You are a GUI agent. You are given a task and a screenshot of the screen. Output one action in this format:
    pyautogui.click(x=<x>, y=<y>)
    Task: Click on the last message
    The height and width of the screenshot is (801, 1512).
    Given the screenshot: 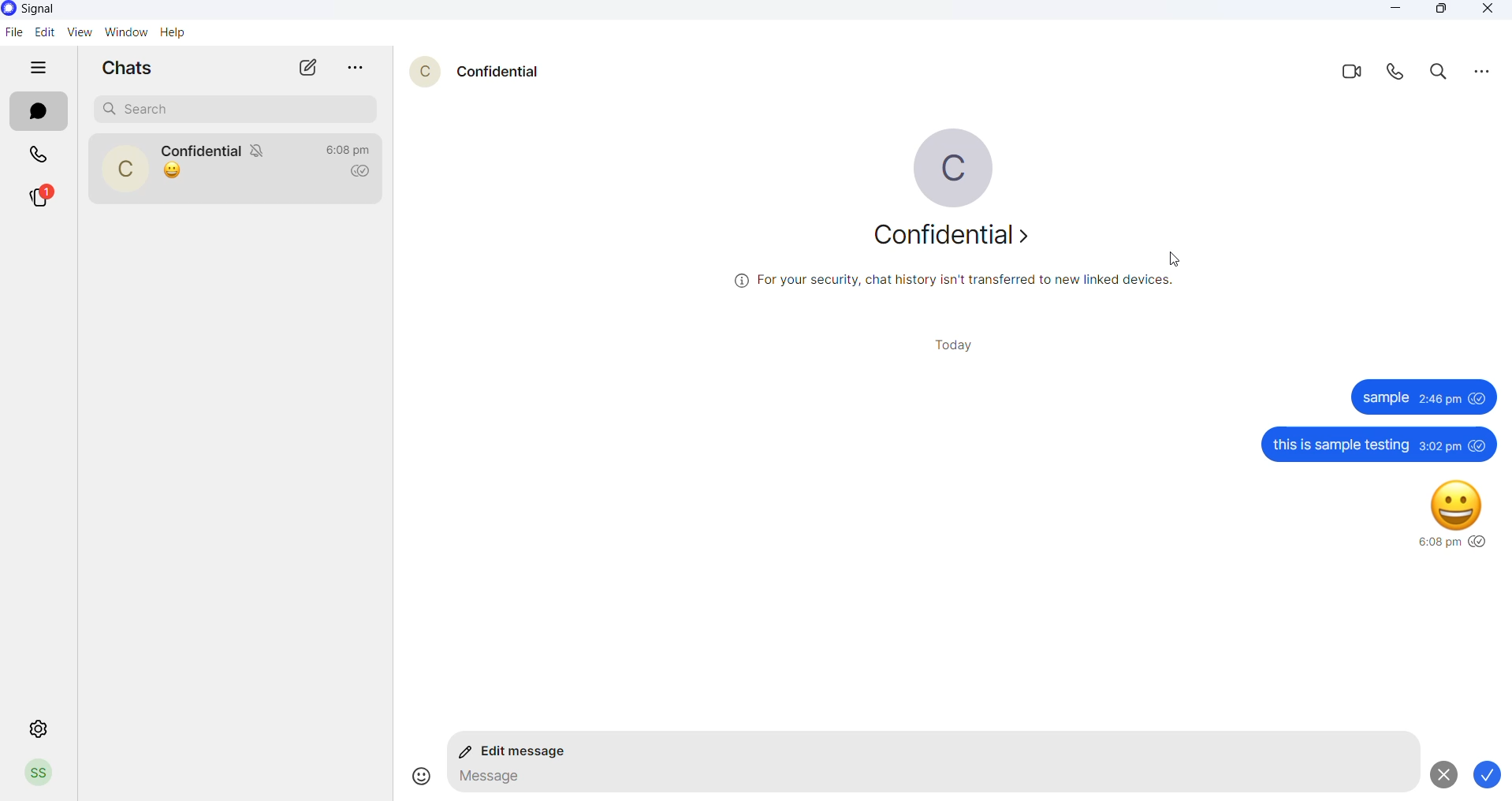 What is the action you would take?
    pyautogui.click(x=173, y=172)
    